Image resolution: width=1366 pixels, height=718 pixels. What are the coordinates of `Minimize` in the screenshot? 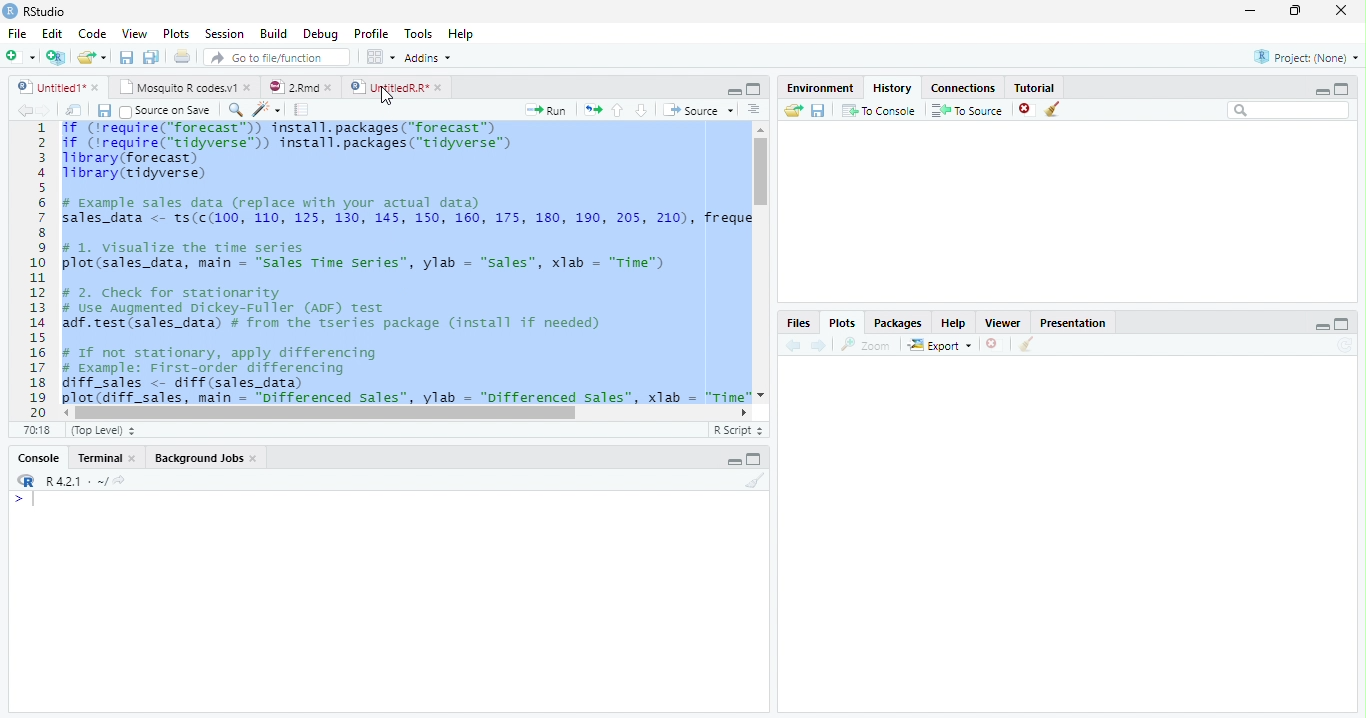 It's located at (1321, 89).